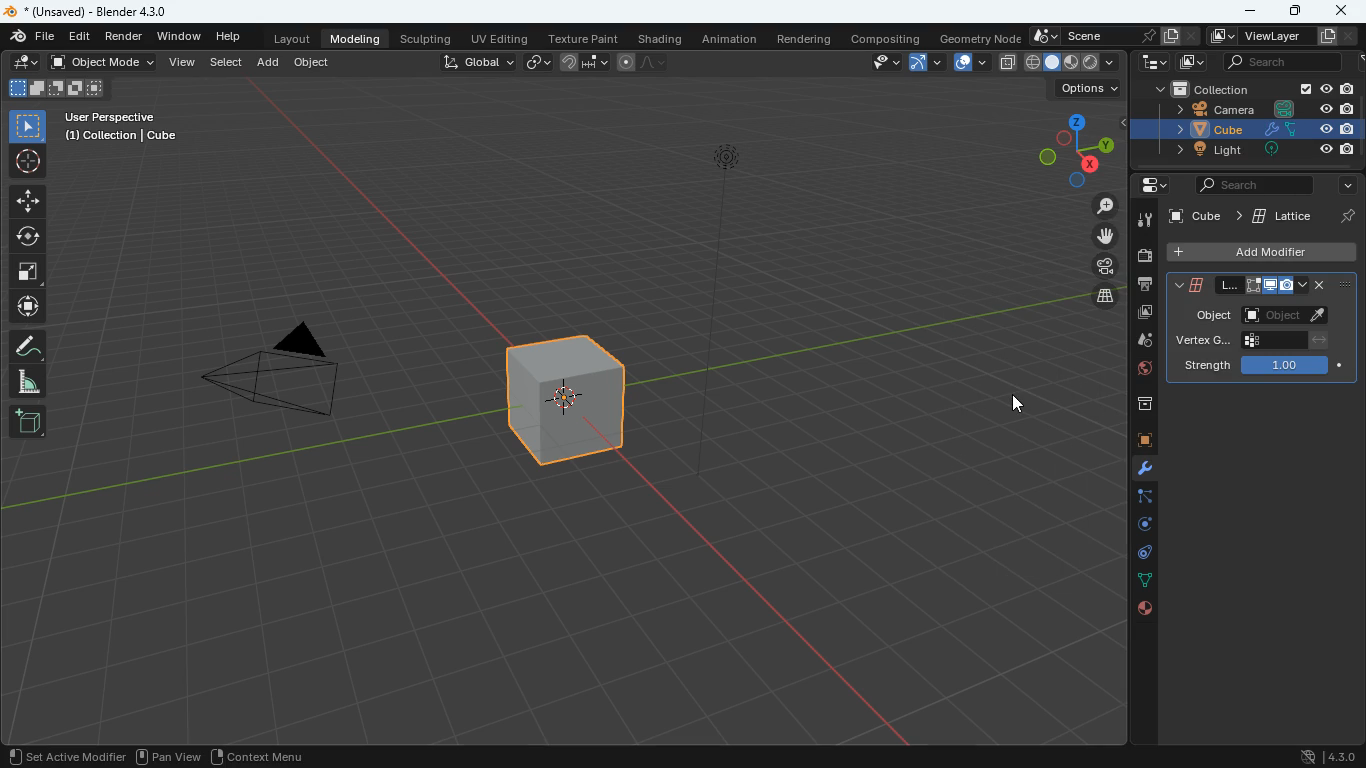 This screenshot has width=1366, height=768. What do you see at coordinates (28, 347) in the screenshot?
I see `draw` at bounding box center [28, 347].